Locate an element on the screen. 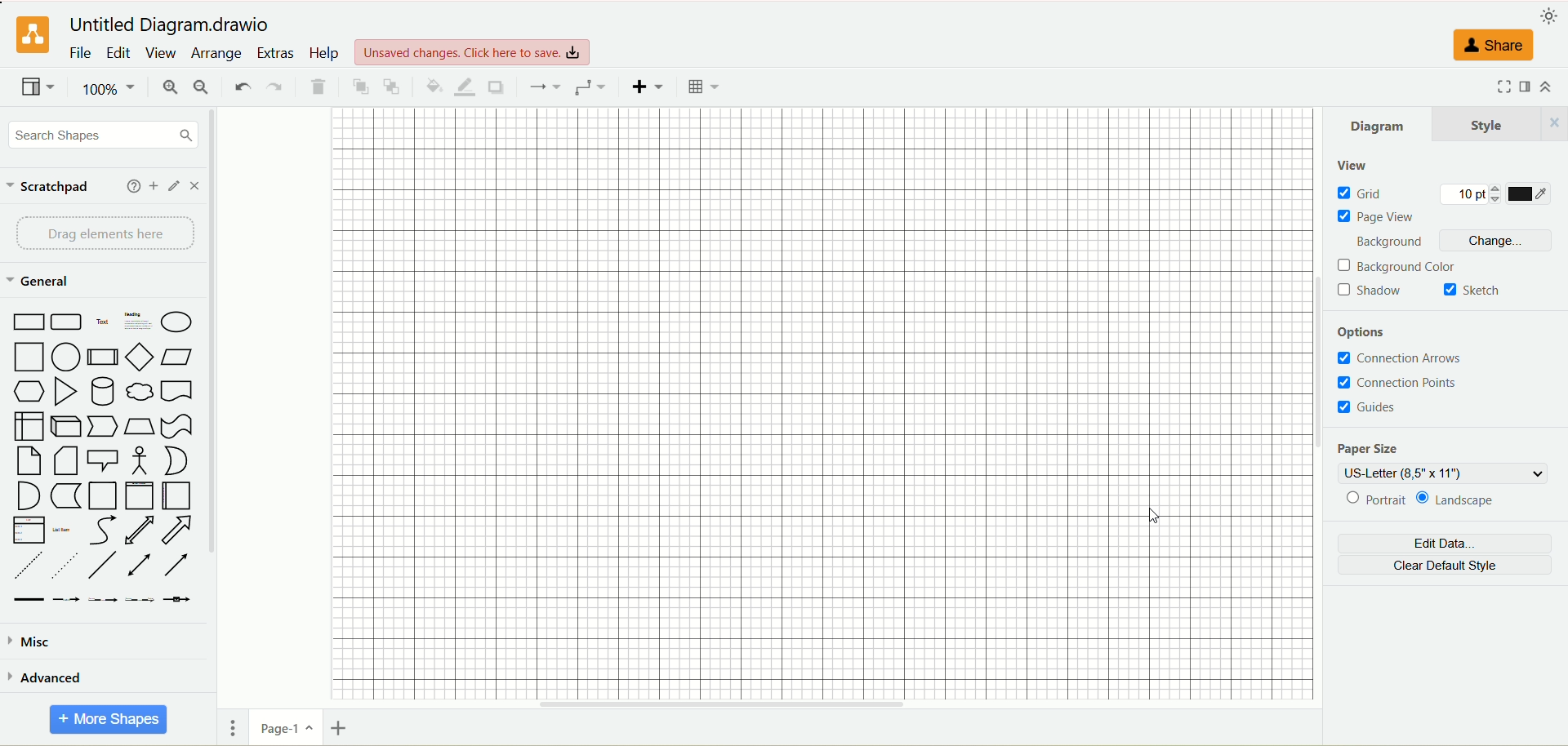 This screenshot has width=1568, height=746. format is located at coordinates (1528, 85).